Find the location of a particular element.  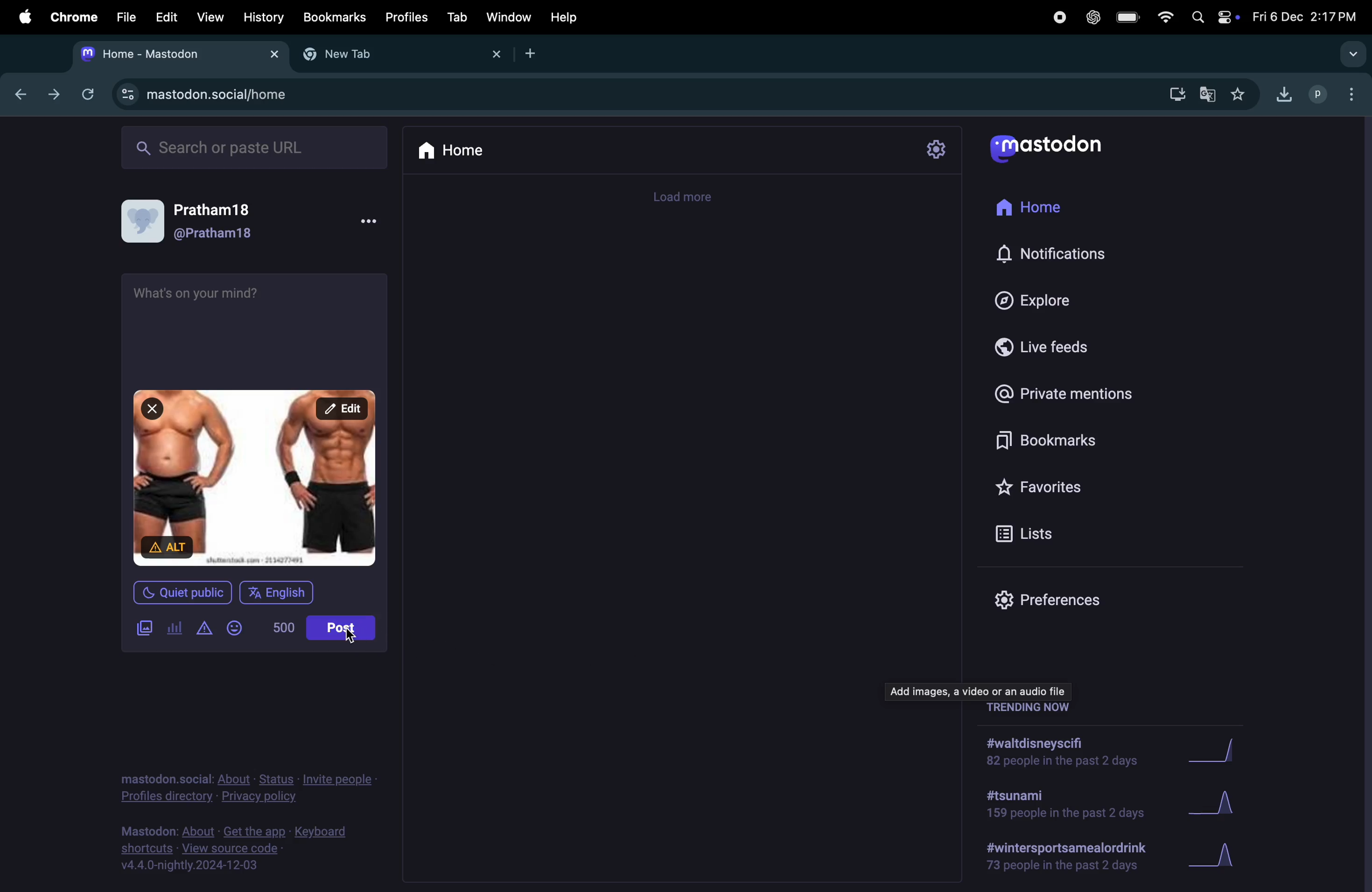

#tsunami is located at coordinates (1062, 803).